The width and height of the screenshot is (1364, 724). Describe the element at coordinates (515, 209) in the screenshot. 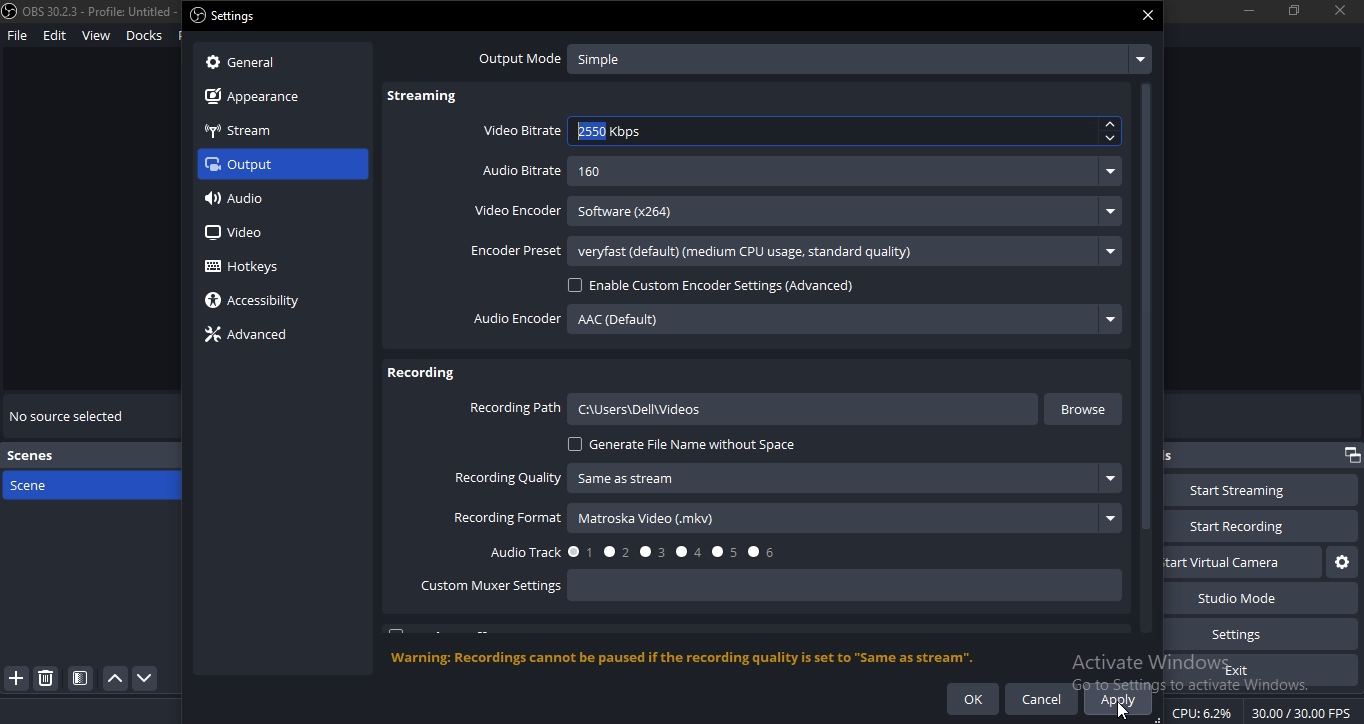

I see `video encoder` at that location.